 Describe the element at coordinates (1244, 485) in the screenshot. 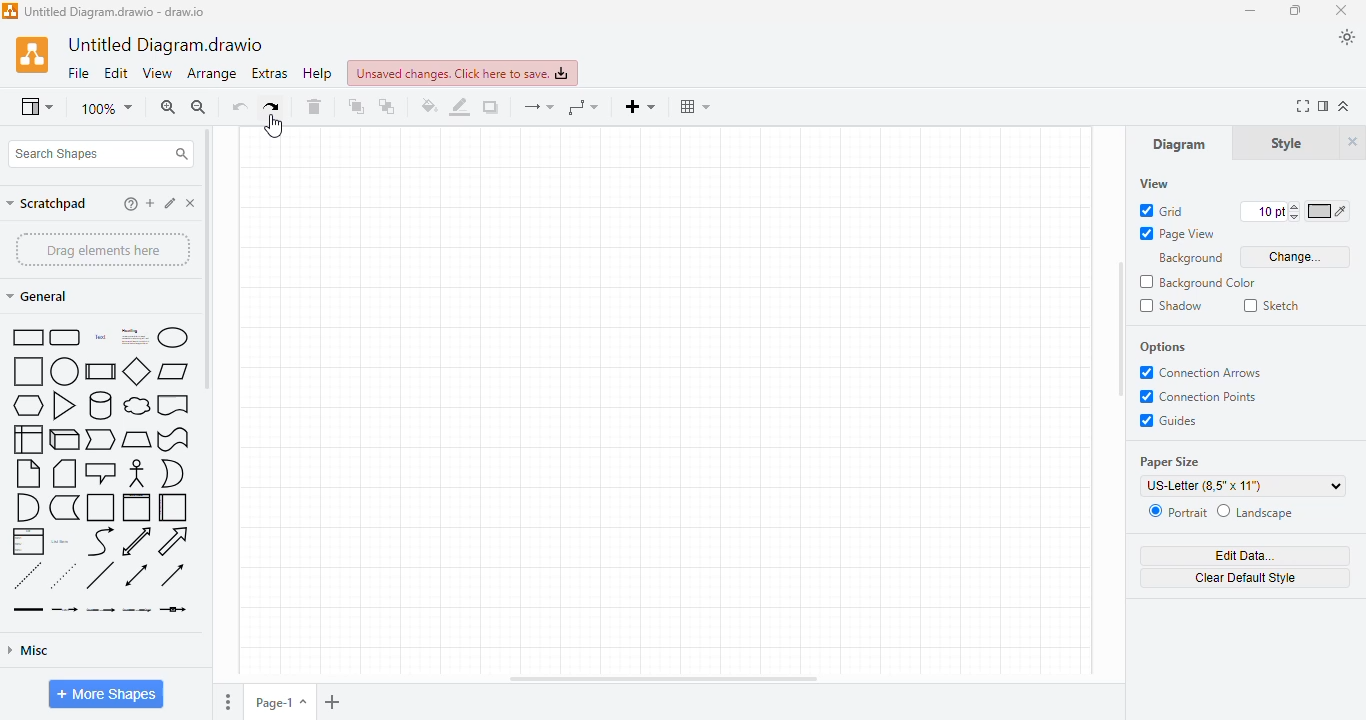

I see `US-letter(8.5"x11")` at that location.